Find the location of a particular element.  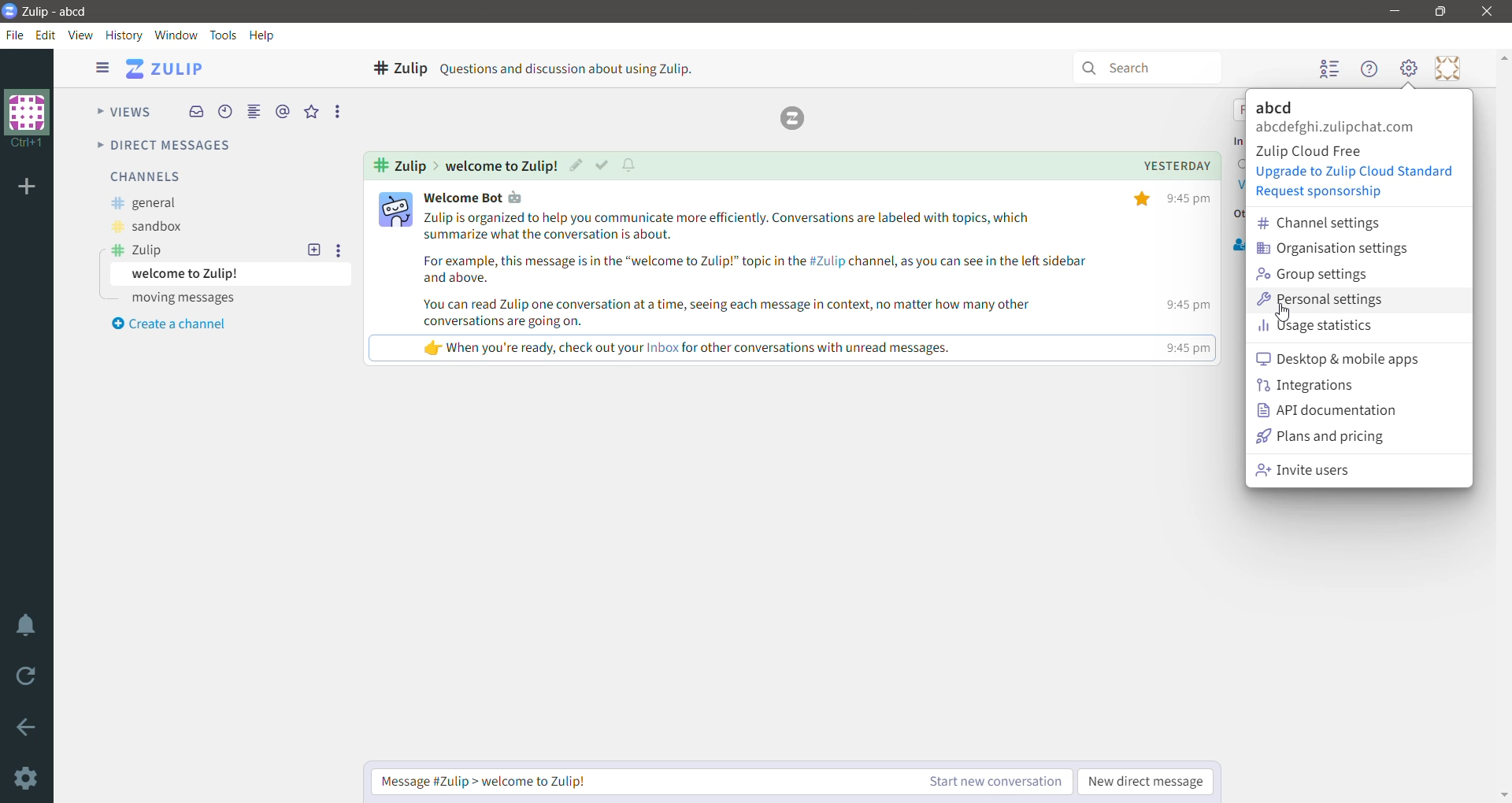

Mentions is located at coordinates (283, 111).